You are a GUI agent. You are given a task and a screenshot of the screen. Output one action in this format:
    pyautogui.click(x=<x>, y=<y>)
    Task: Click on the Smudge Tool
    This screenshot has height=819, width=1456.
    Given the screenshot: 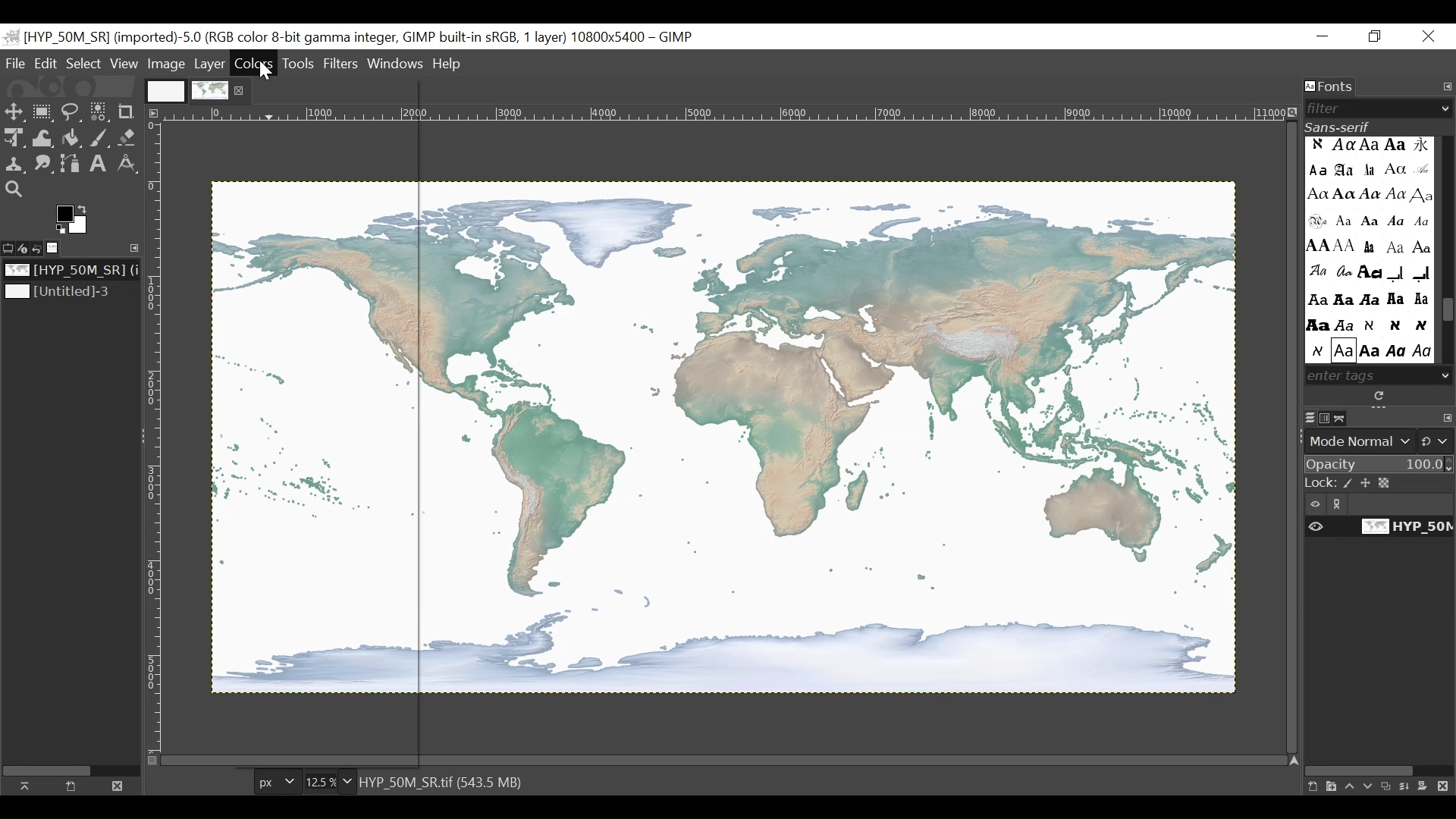 What is the action you would take?
    pyautogui.click(x=42, y=165)
    